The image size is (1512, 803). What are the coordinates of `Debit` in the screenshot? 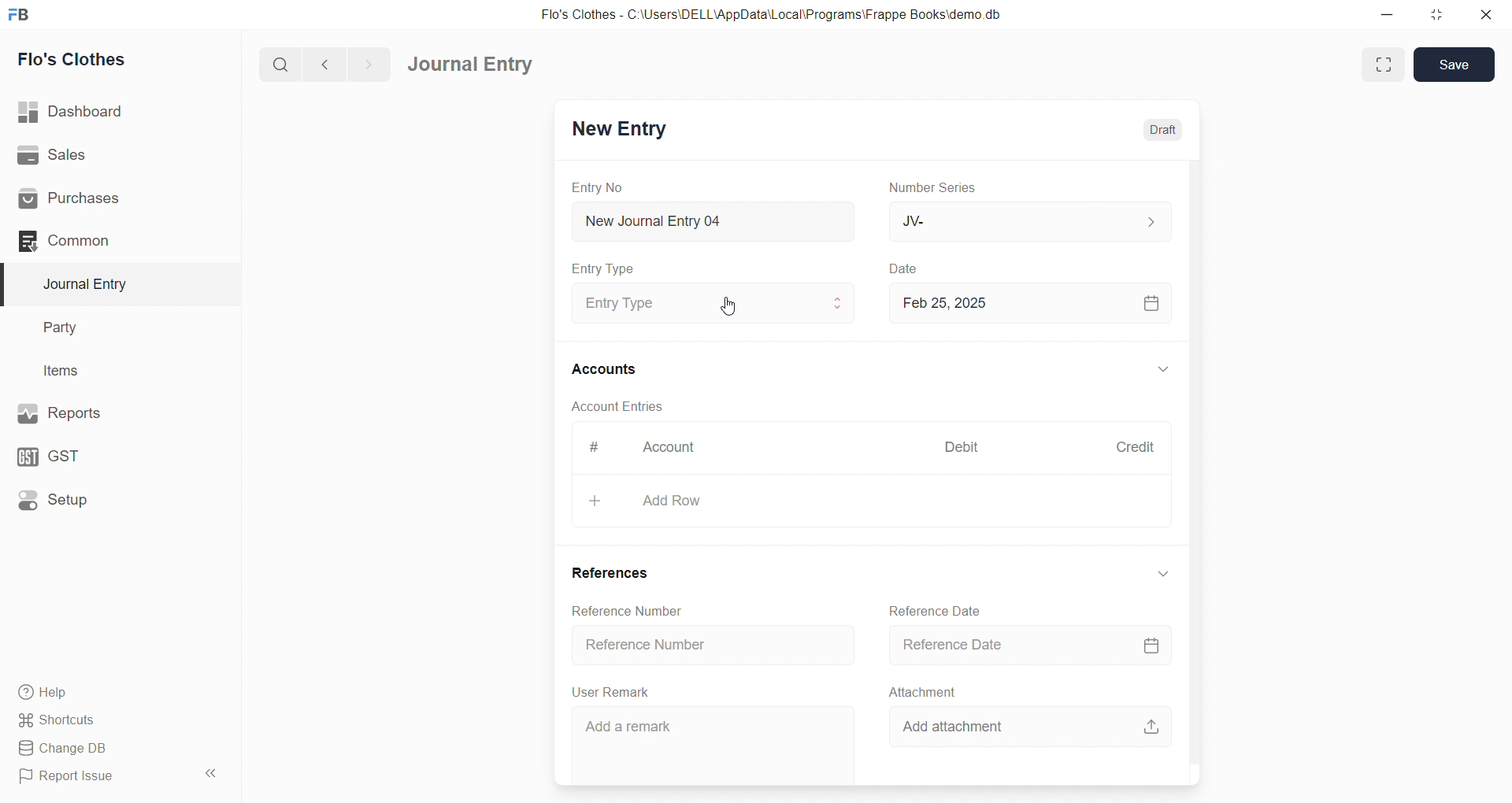 It's located at (962, 449).